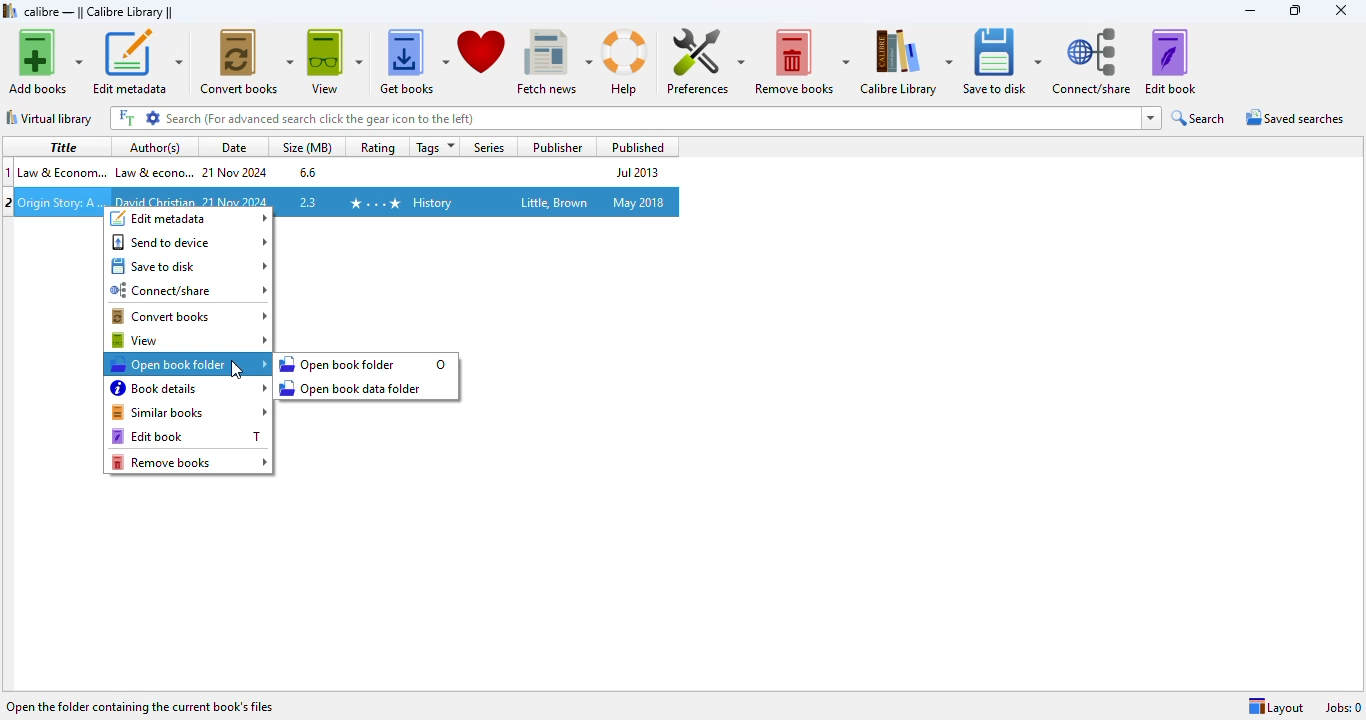 Image resolution: width=1366 pixels, height=720 pixels. Describe the element at coordinates (555, 202) in the screenshot. I see `little, brown` at that location.